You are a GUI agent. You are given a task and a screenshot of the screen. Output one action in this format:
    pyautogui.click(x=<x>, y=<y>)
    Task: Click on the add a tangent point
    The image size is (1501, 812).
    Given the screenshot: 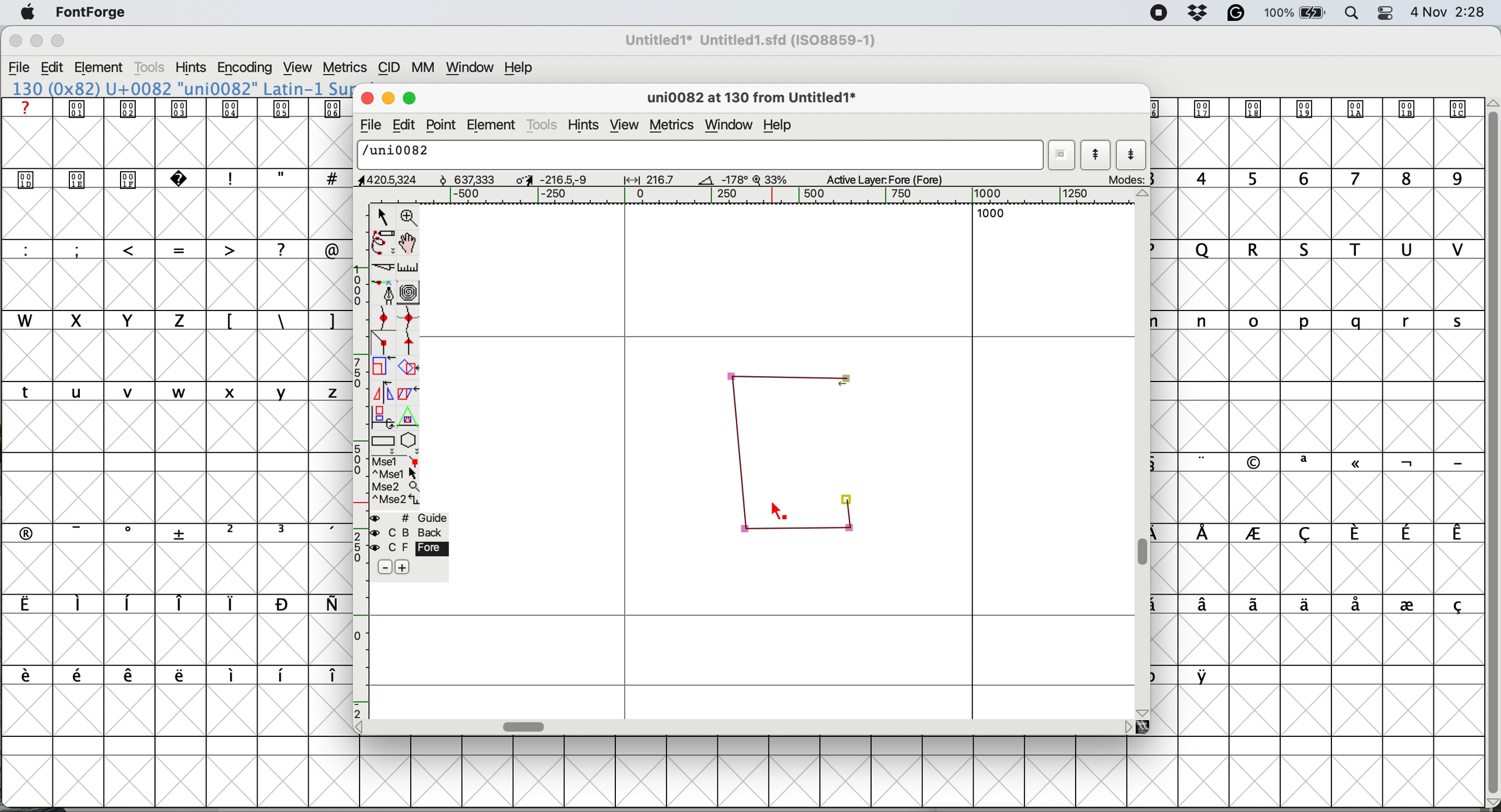 What is the action you would take?
    pyautogui.click(x=410, y=343)
    